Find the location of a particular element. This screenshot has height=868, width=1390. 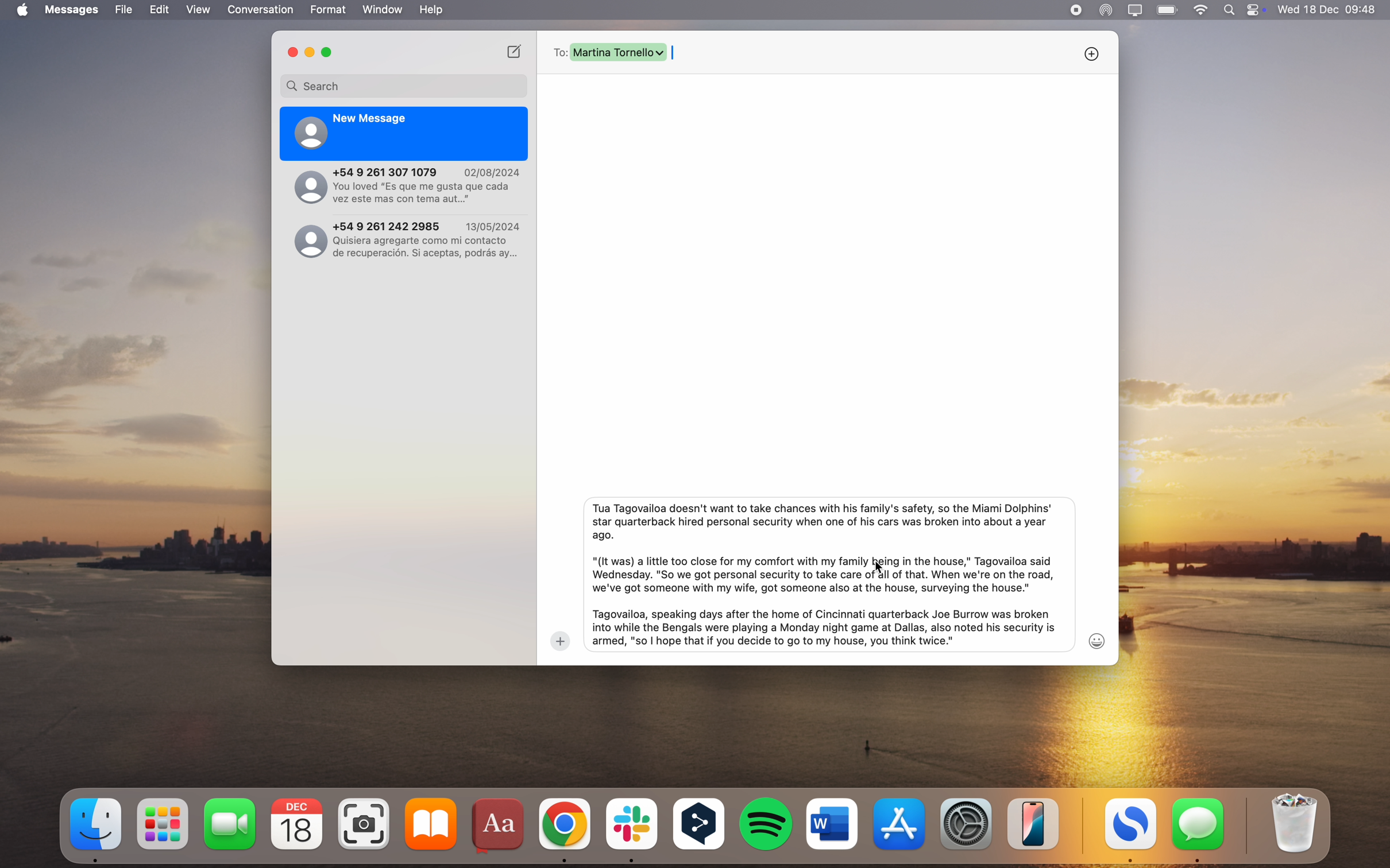

finder is located at coordinates (97, 829).